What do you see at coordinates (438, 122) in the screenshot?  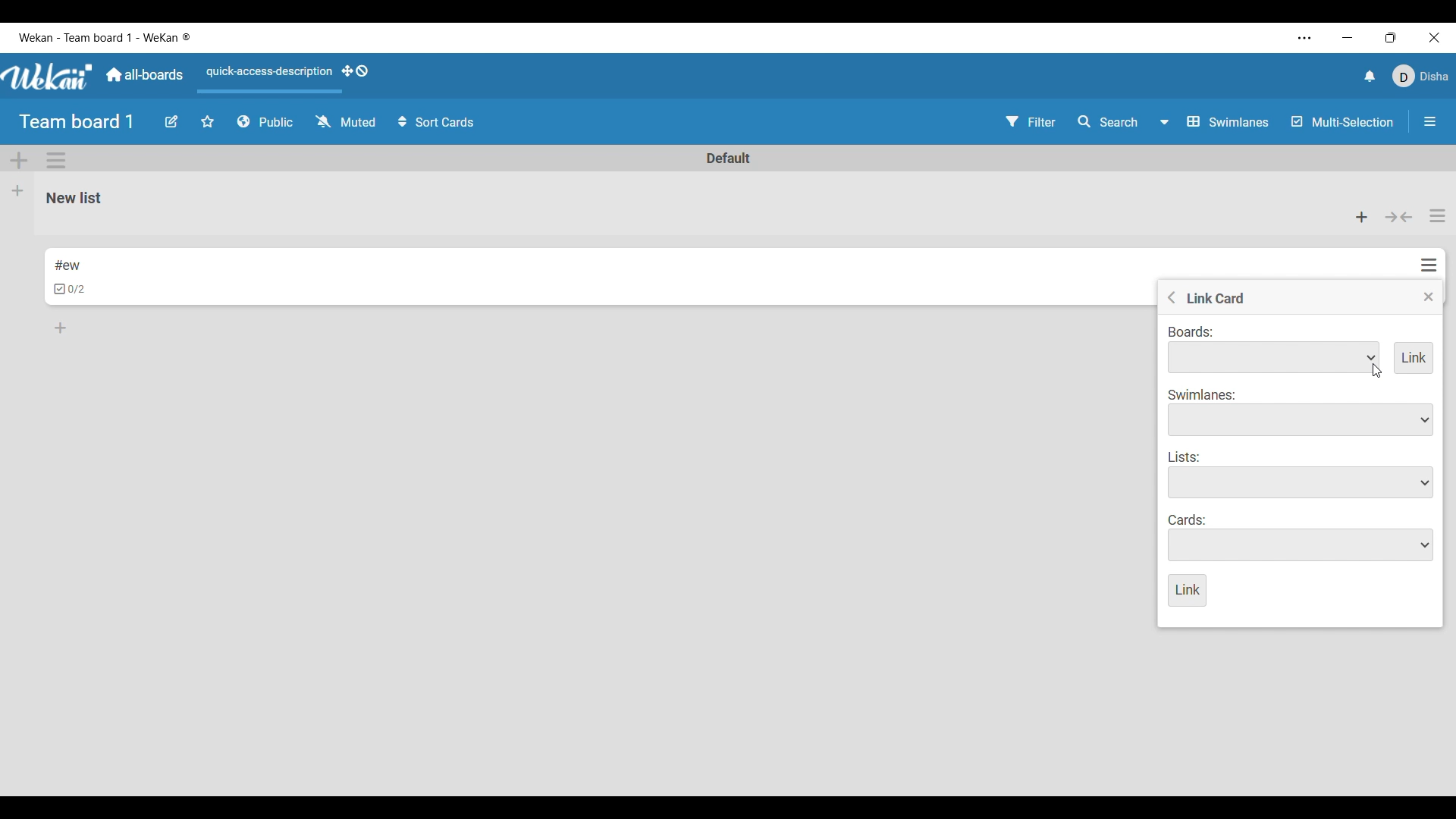 I see `Sort cards` at bounding box center [438, 122].